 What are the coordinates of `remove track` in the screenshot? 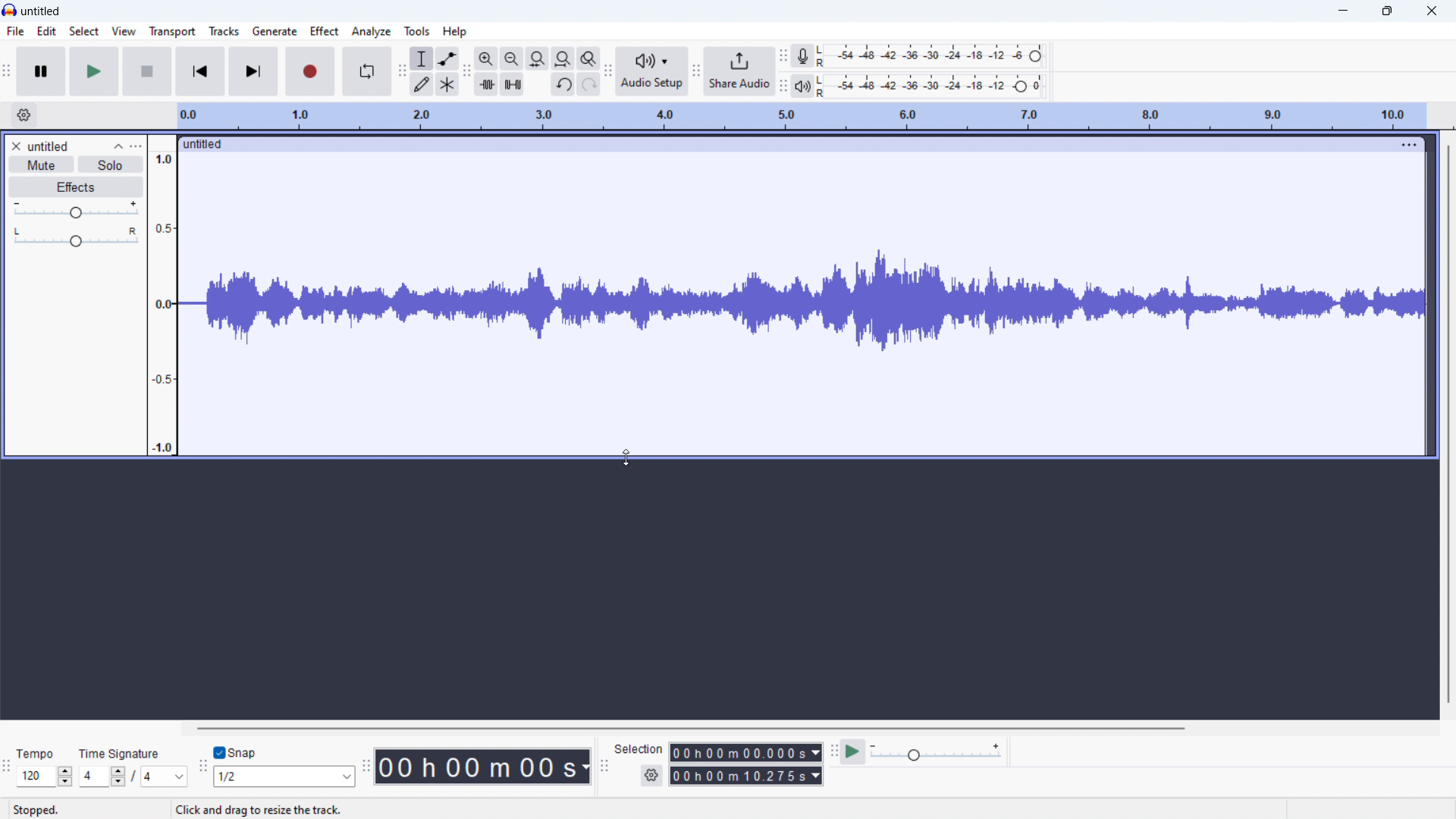 It's located at (15, 145).